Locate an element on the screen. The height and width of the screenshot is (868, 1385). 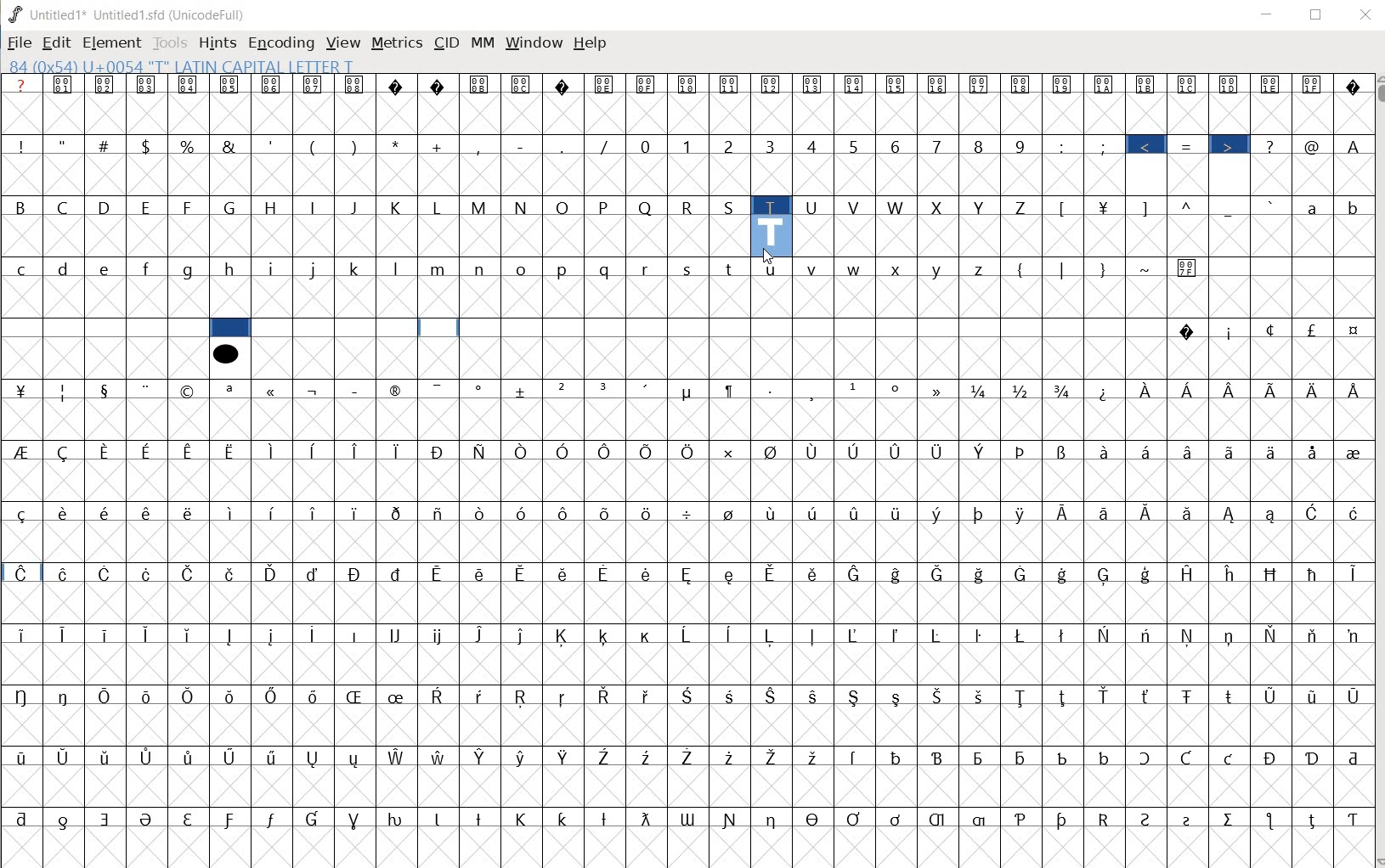
Symbol is located at coordinates (106, 695).